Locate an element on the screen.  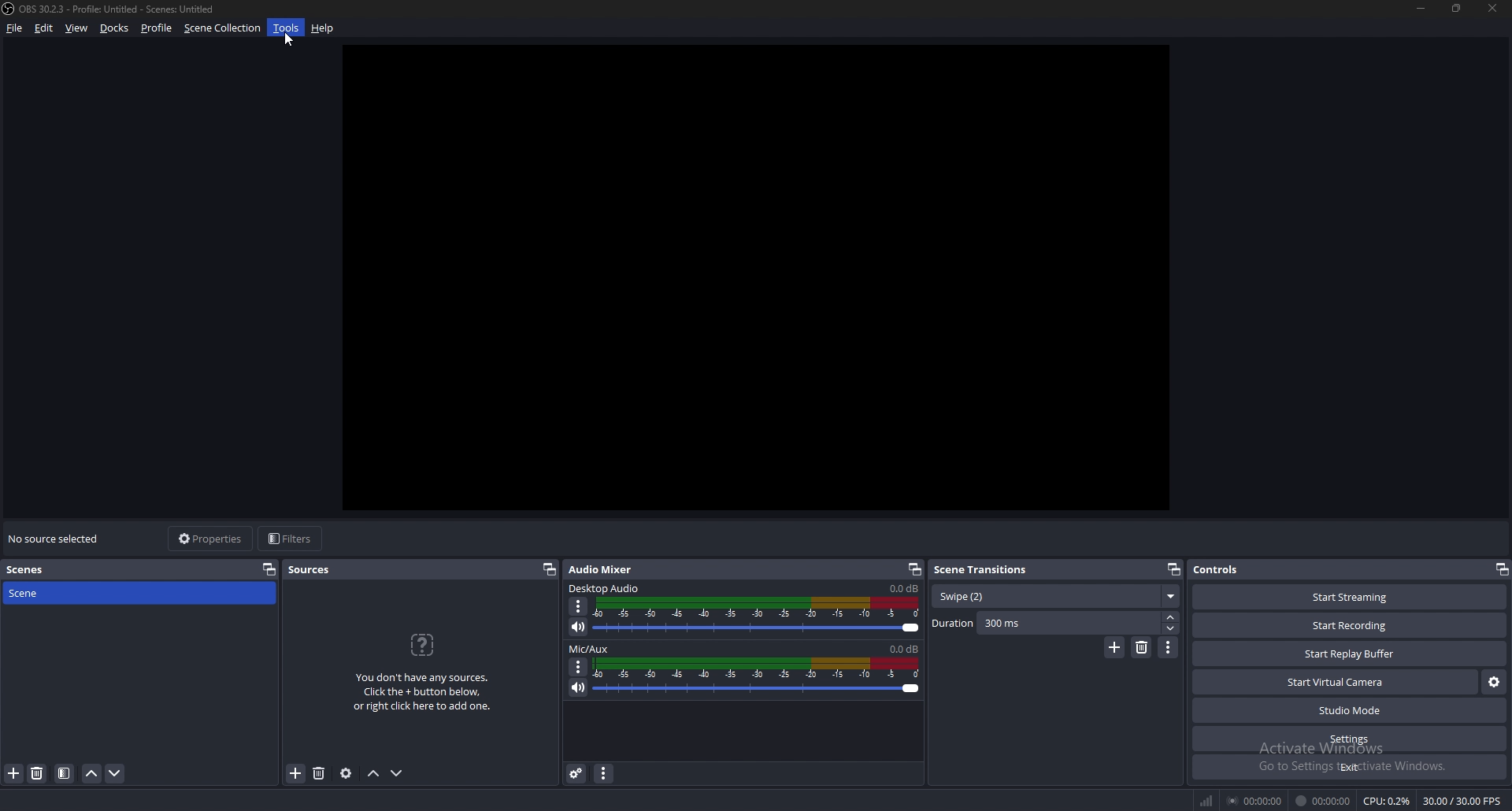
audio mixer menu is located at coordinates (603, 772).